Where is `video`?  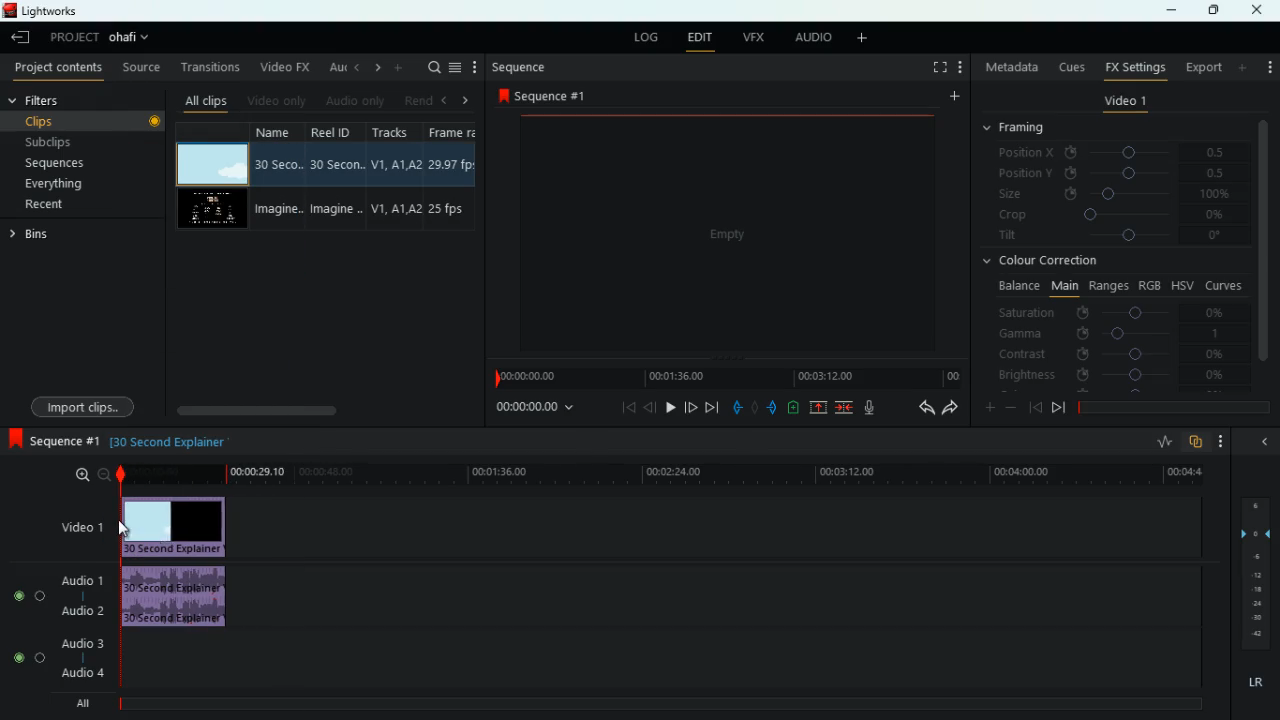 video is located at coordinates (215, 209).